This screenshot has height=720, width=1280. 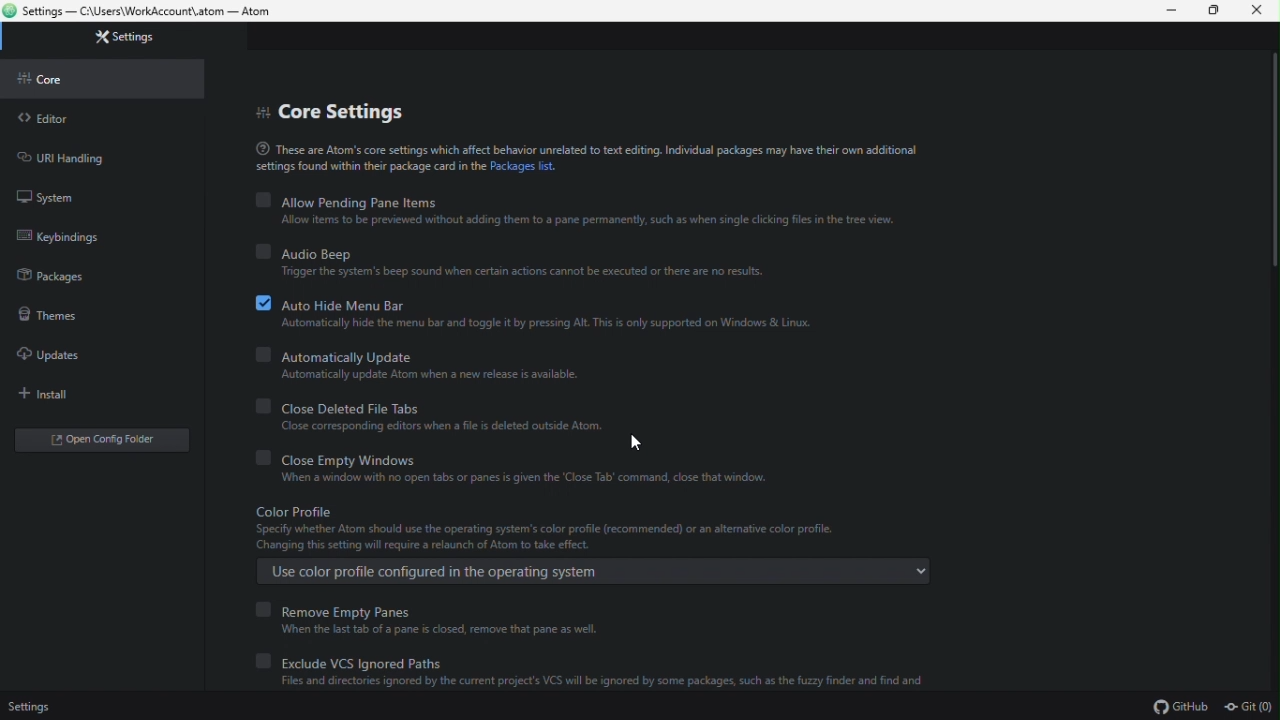 What do you see at coordinates (91, 275) in the screenshot?
I see `packages` at bounding box center [91, 275].